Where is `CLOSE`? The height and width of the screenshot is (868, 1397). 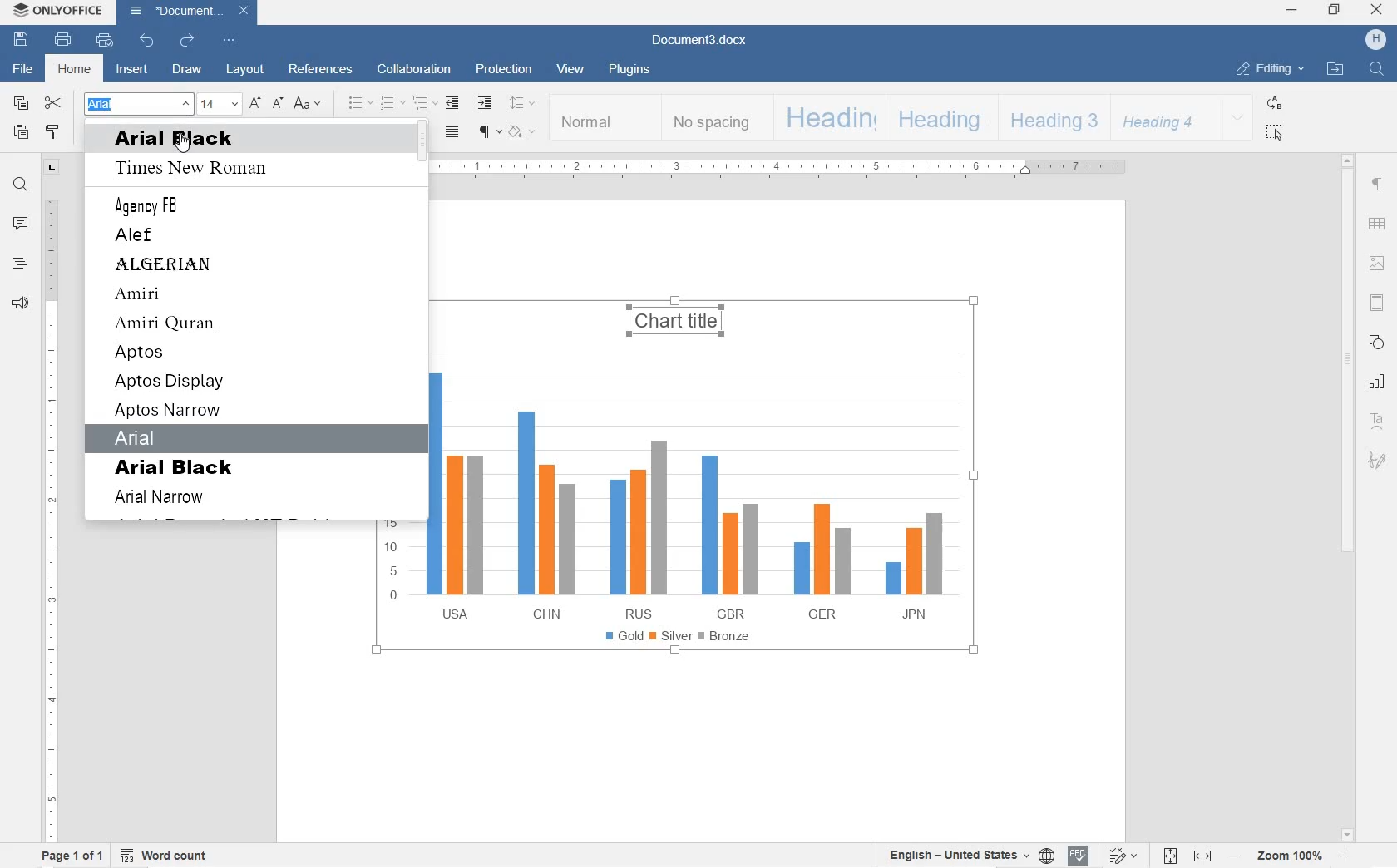
CLOSE is located at coordinates (1379, 11).